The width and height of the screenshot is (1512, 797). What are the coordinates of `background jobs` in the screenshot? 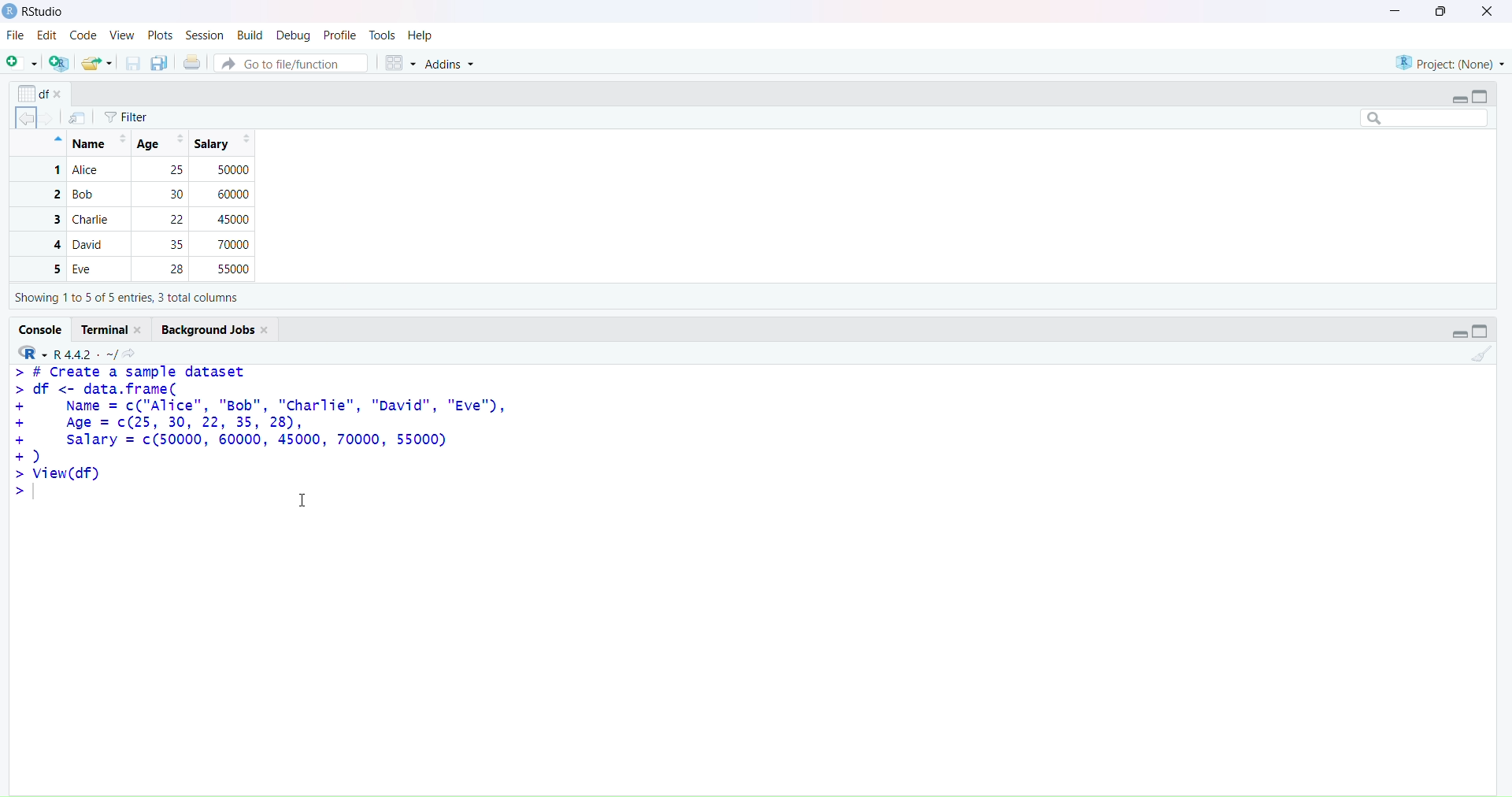 It's located at (217, 330).